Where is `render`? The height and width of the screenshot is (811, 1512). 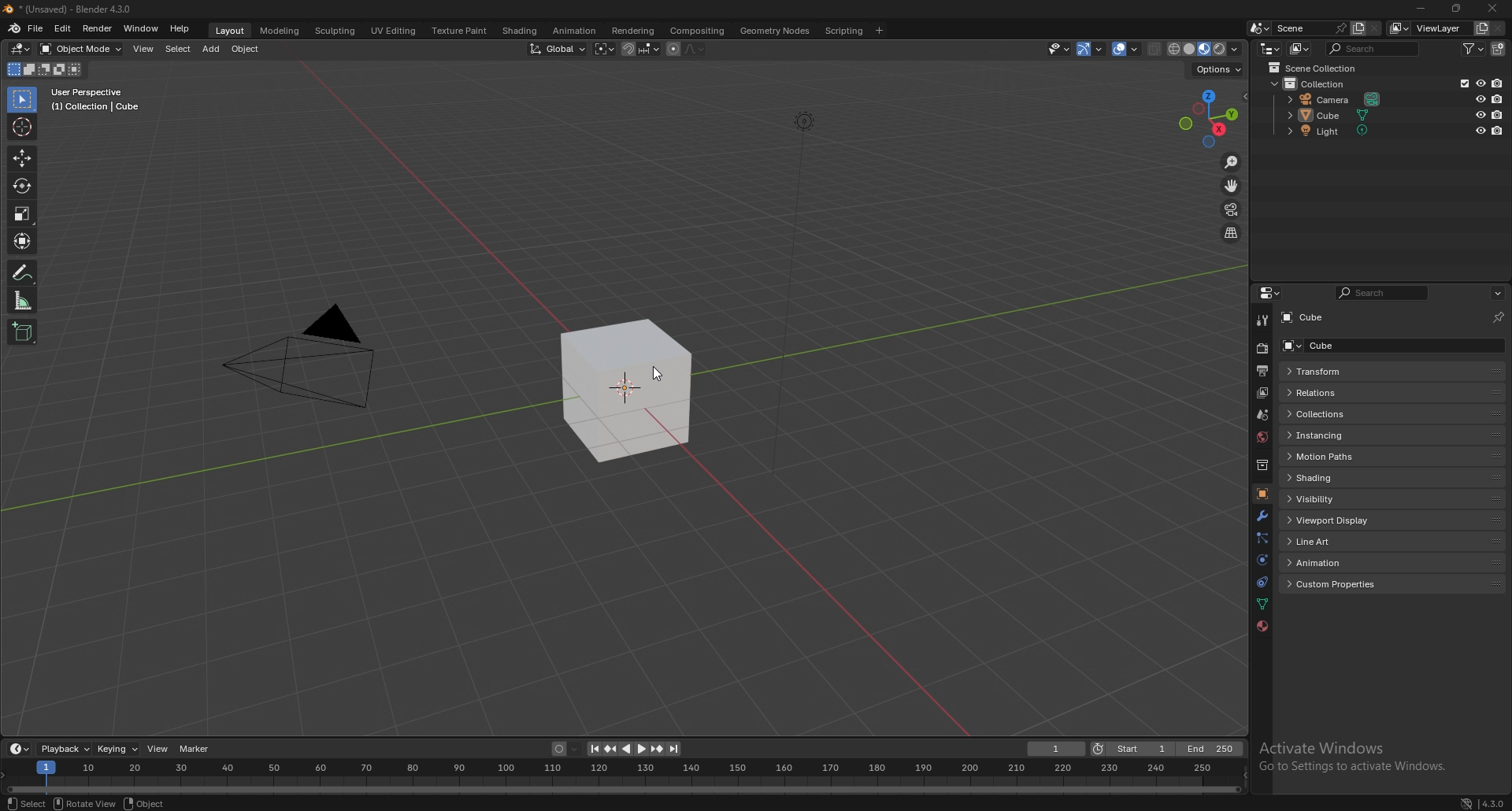
render is located at coordinates (1260, 349).